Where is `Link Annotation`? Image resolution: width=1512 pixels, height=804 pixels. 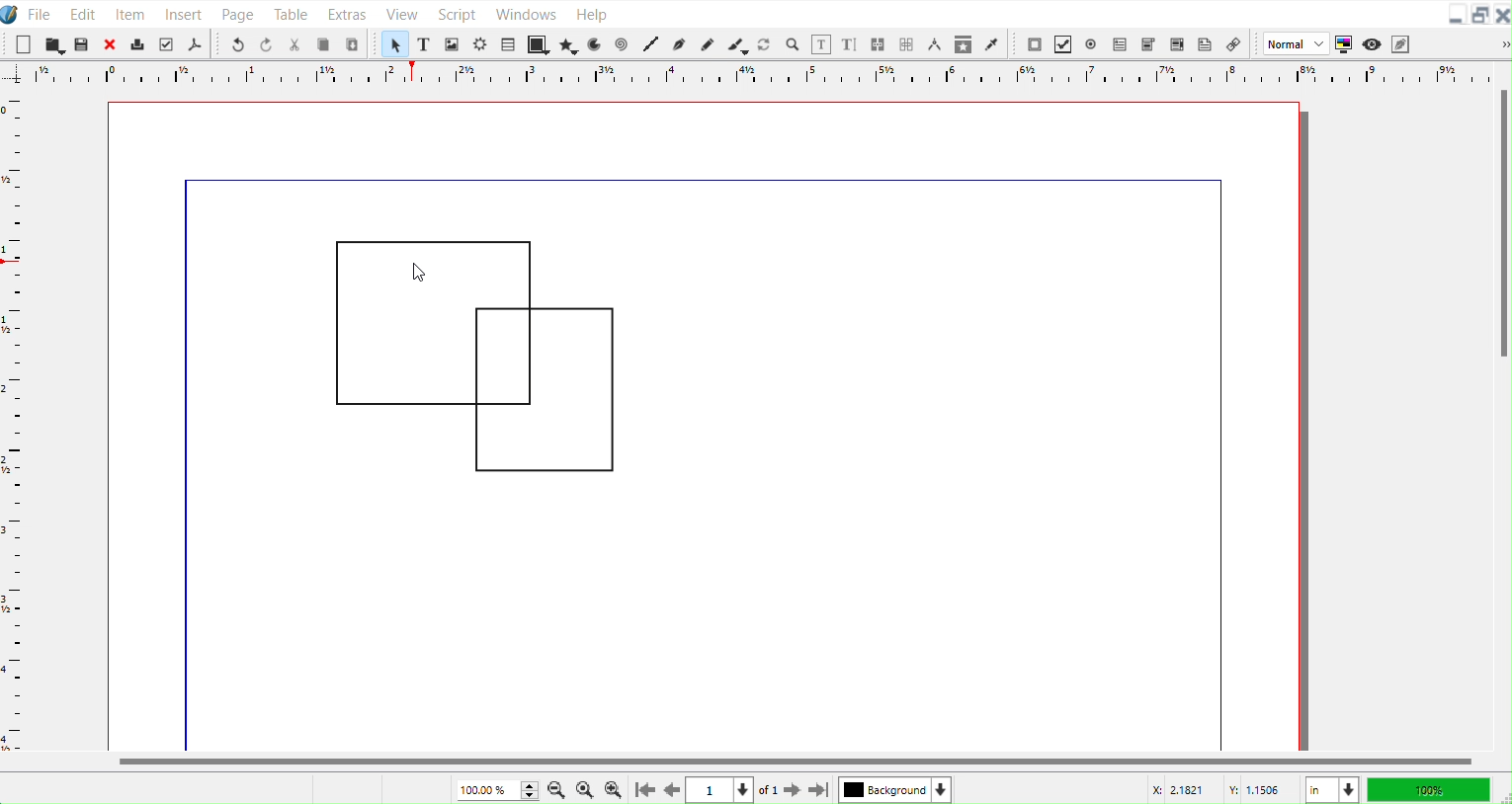 Link Annotation is located at coordinates (1233, 43).